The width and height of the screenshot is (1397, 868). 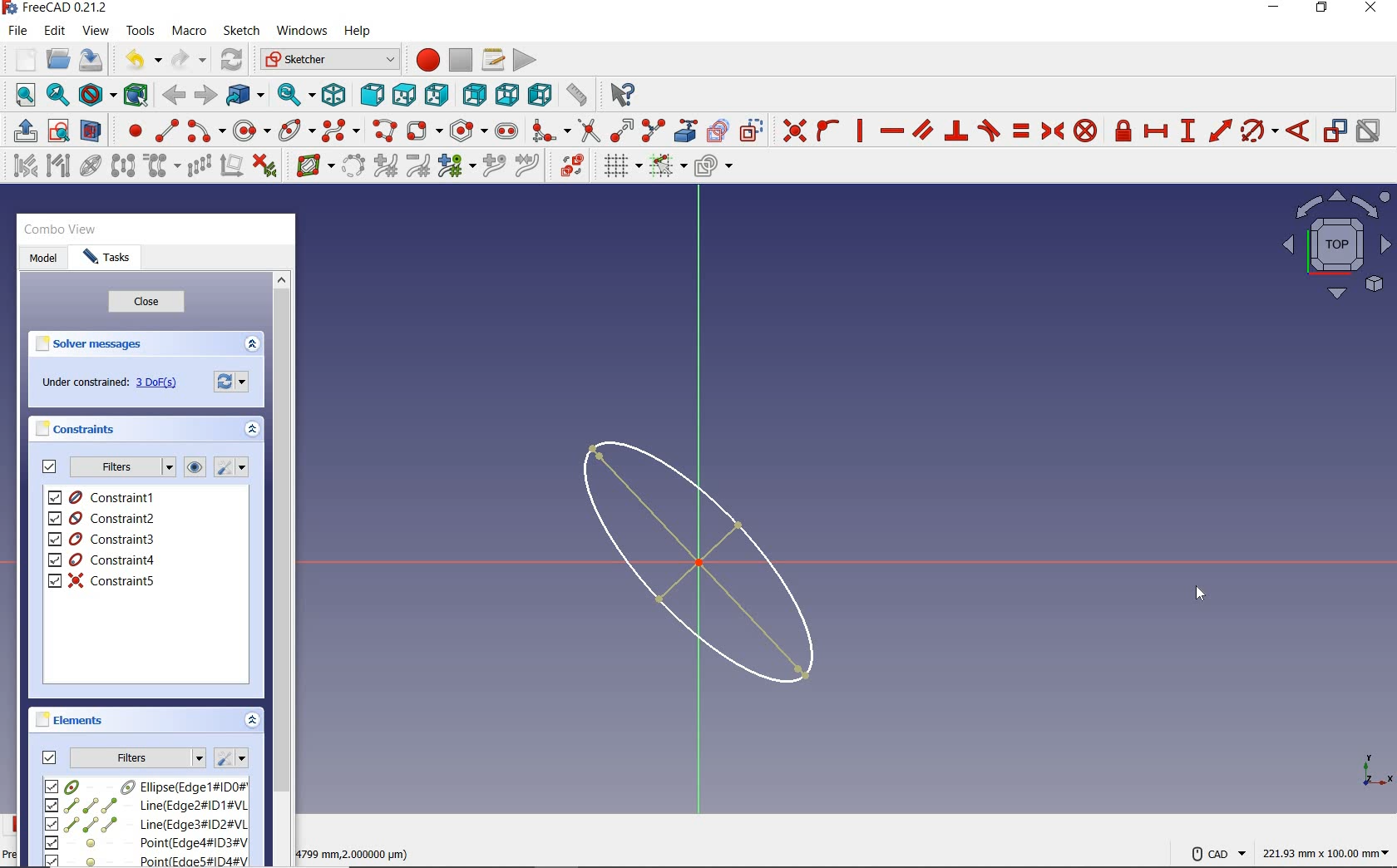 What do you see at coordinates (254, 432) in the screenshot?
I see `collapse` at bounding box center [254, 432].